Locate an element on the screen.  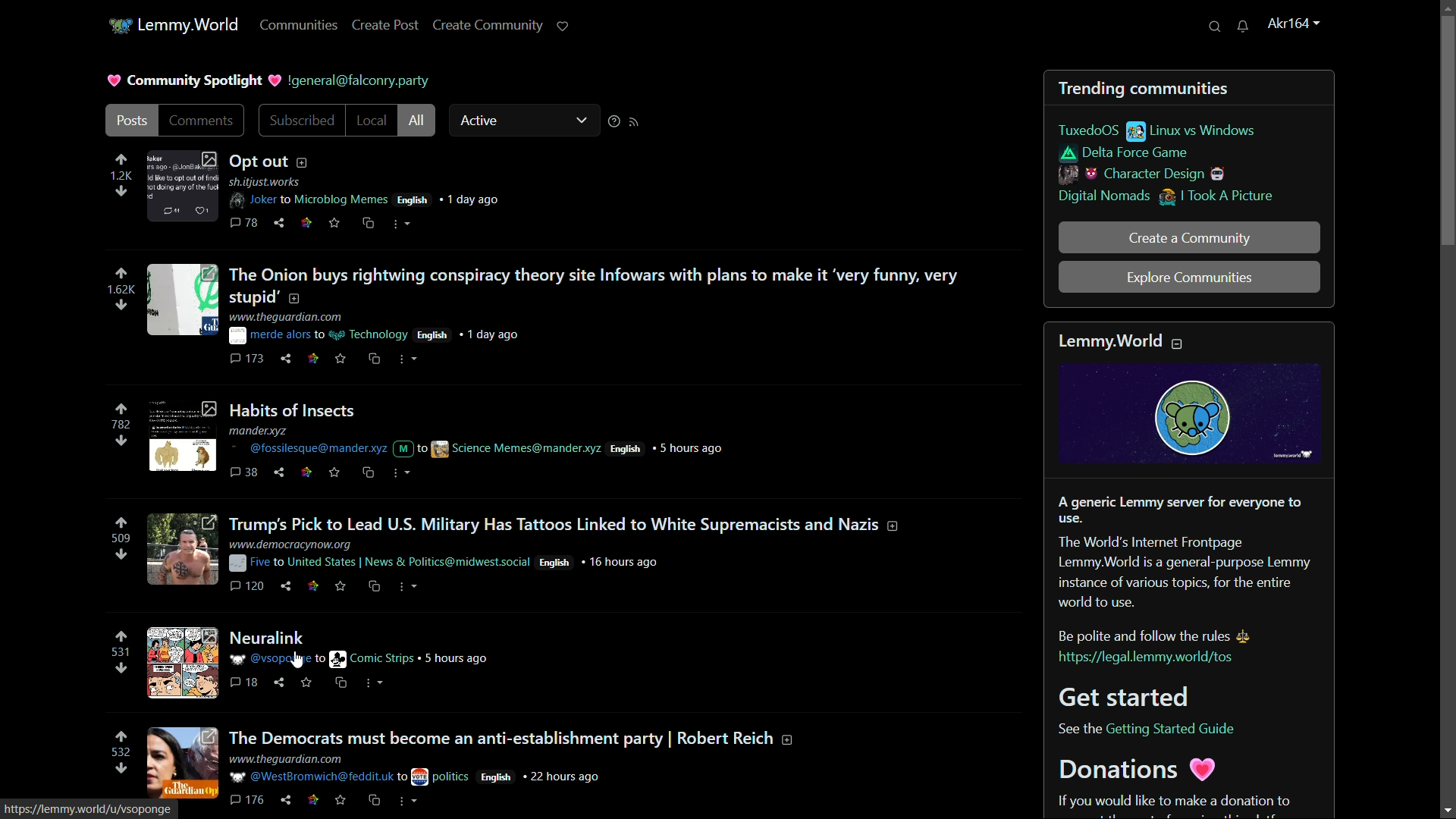
share is located at coordinates (286, 800).